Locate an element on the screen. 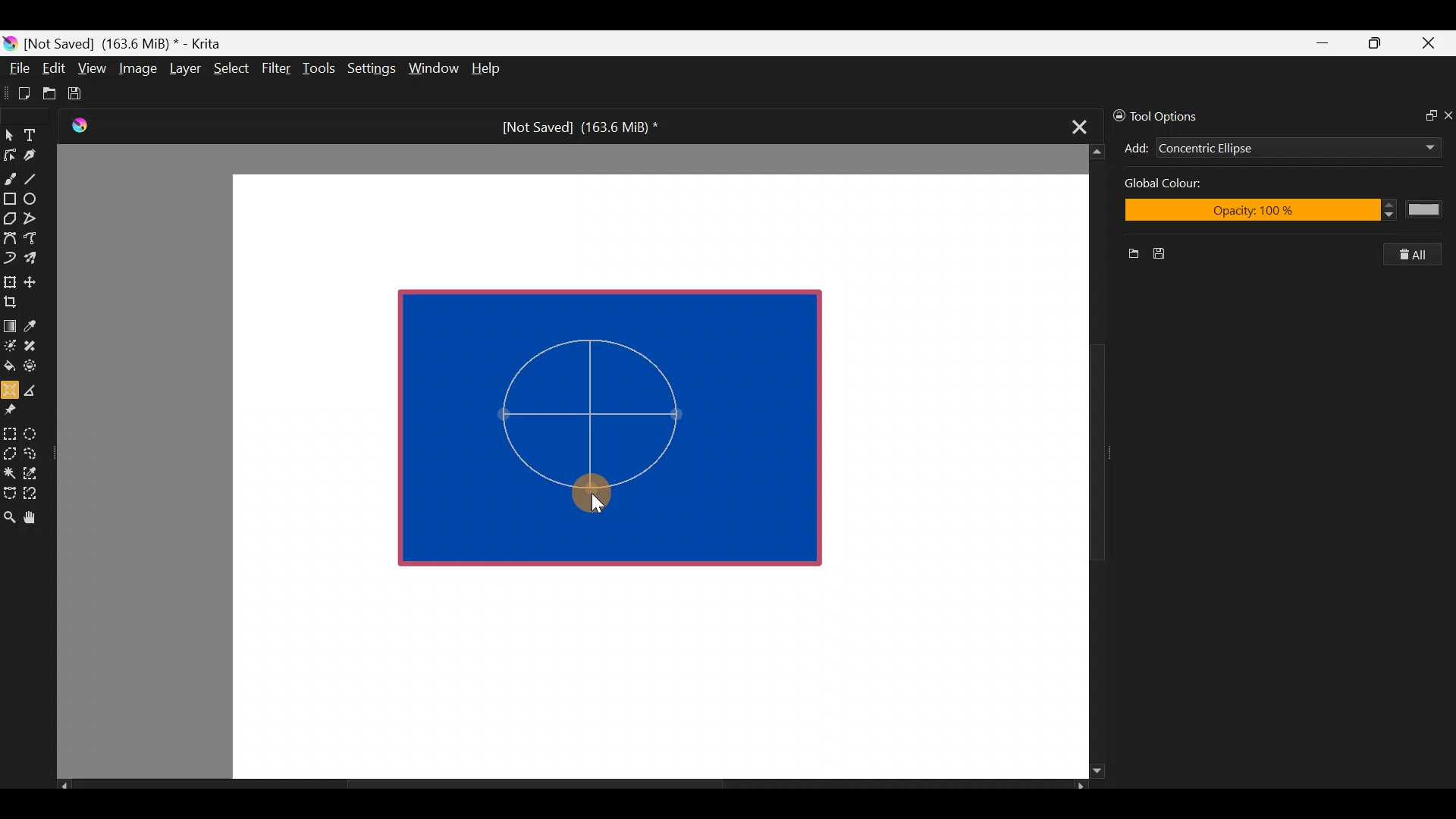  Polygon tool is located at coordinates (9, 219).